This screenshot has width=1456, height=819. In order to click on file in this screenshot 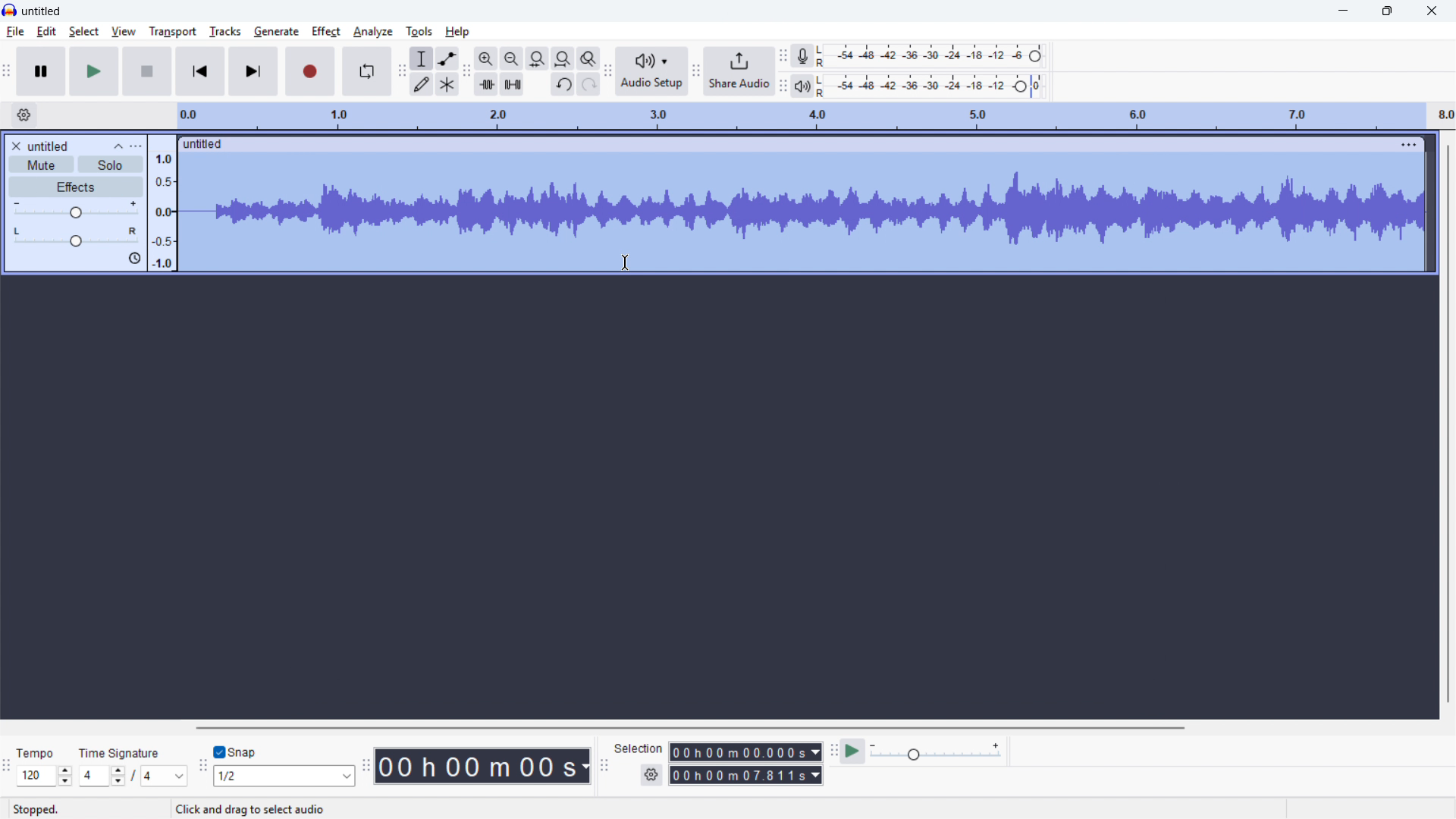, I will do `click(16, 32)`.